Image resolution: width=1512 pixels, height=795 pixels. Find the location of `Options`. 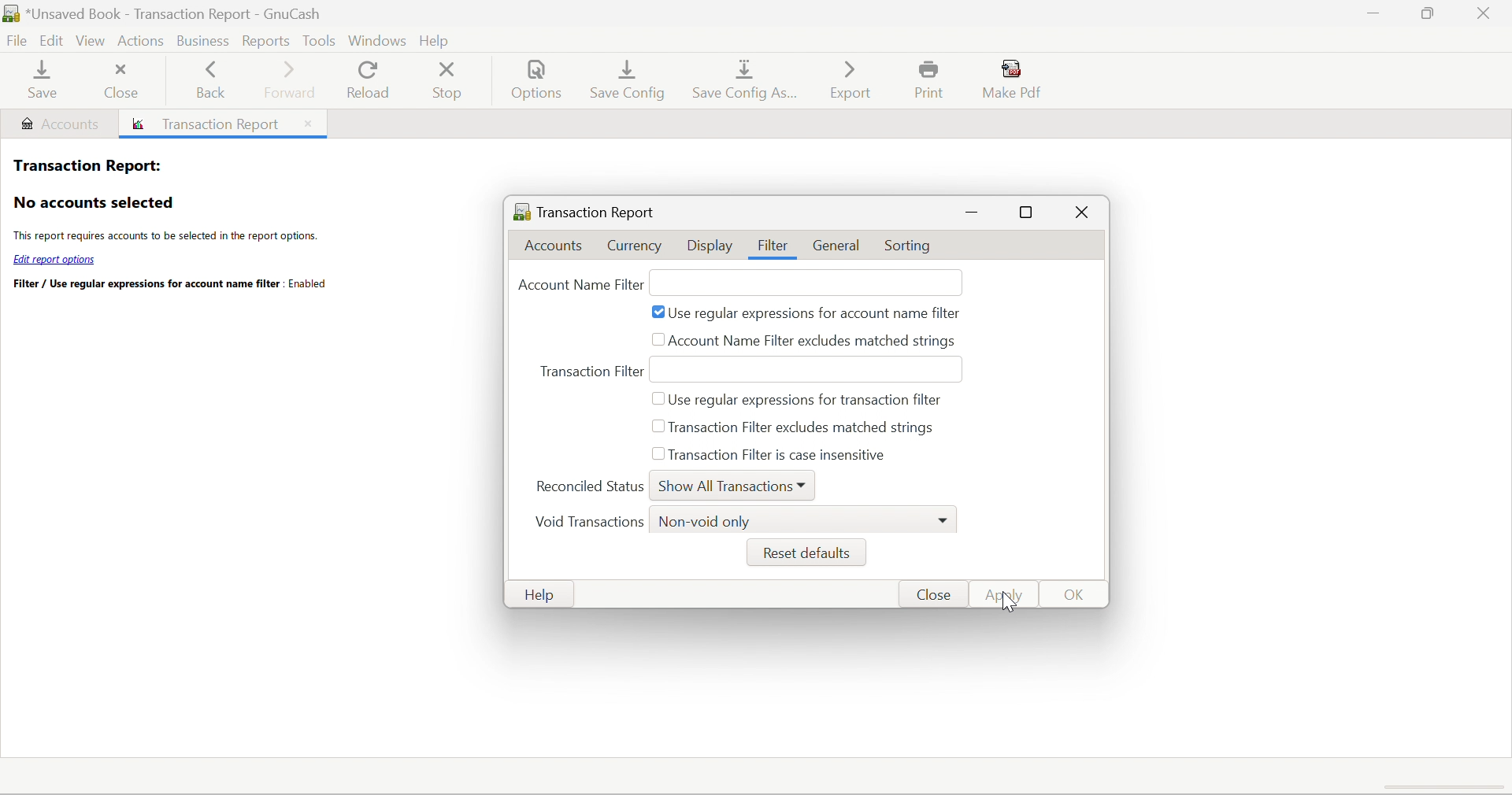

Options is located at coordinates (539, 83).